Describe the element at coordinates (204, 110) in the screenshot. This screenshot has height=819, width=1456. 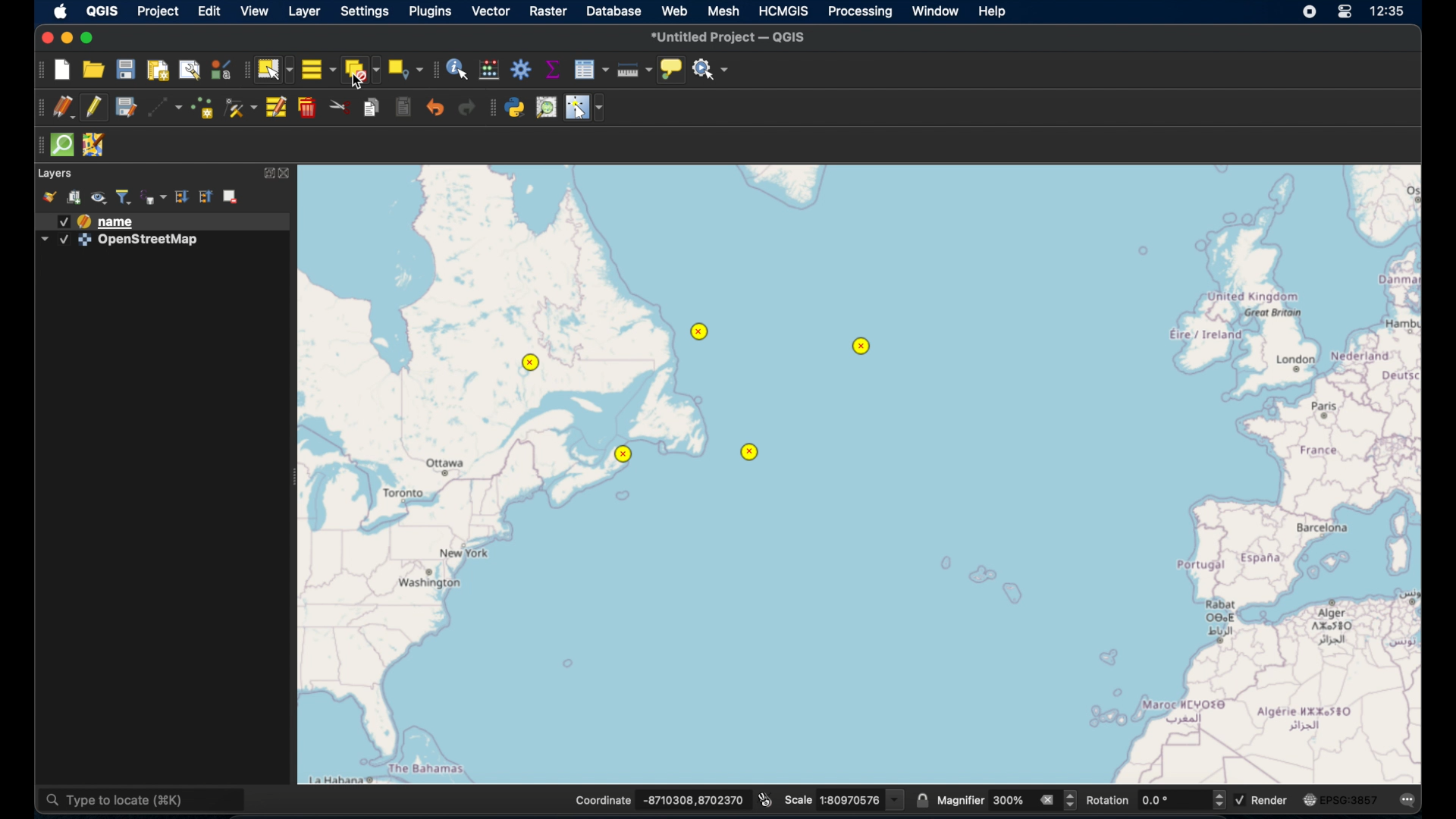
I see `add point feature` at that location.